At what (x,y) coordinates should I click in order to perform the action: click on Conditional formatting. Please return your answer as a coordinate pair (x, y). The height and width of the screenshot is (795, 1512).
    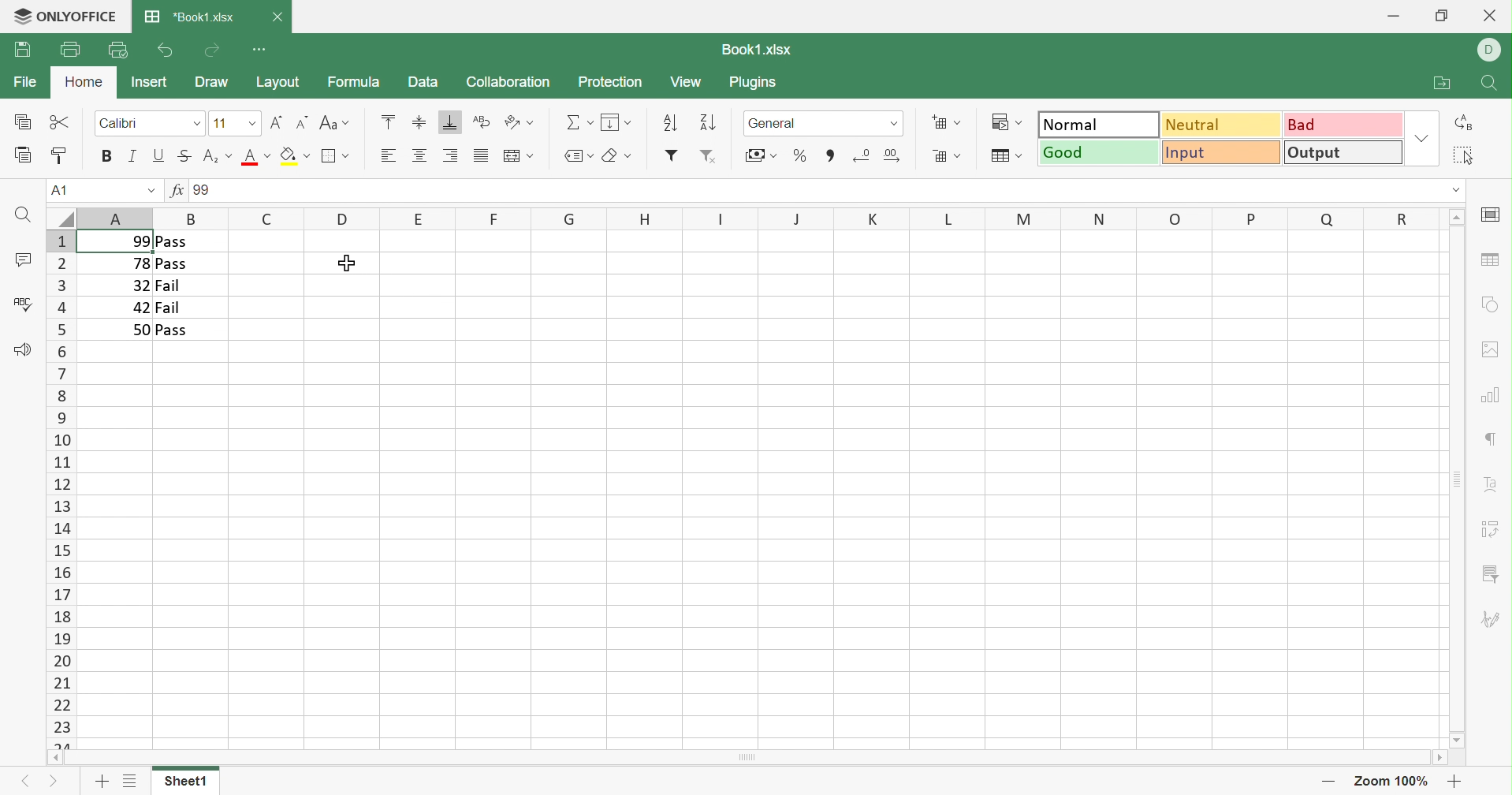
    Looking at the image, I should click on (1009, 122).